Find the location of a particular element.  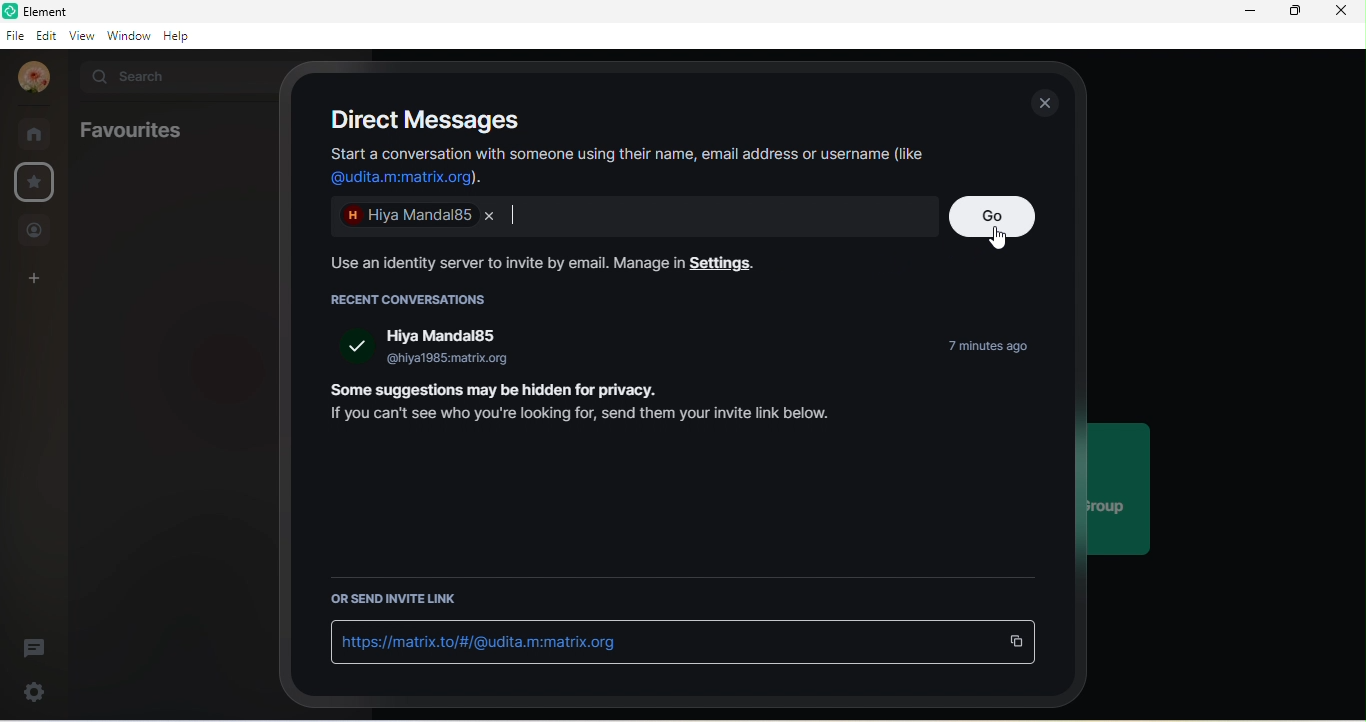

search is located at coordinates (173, 79).